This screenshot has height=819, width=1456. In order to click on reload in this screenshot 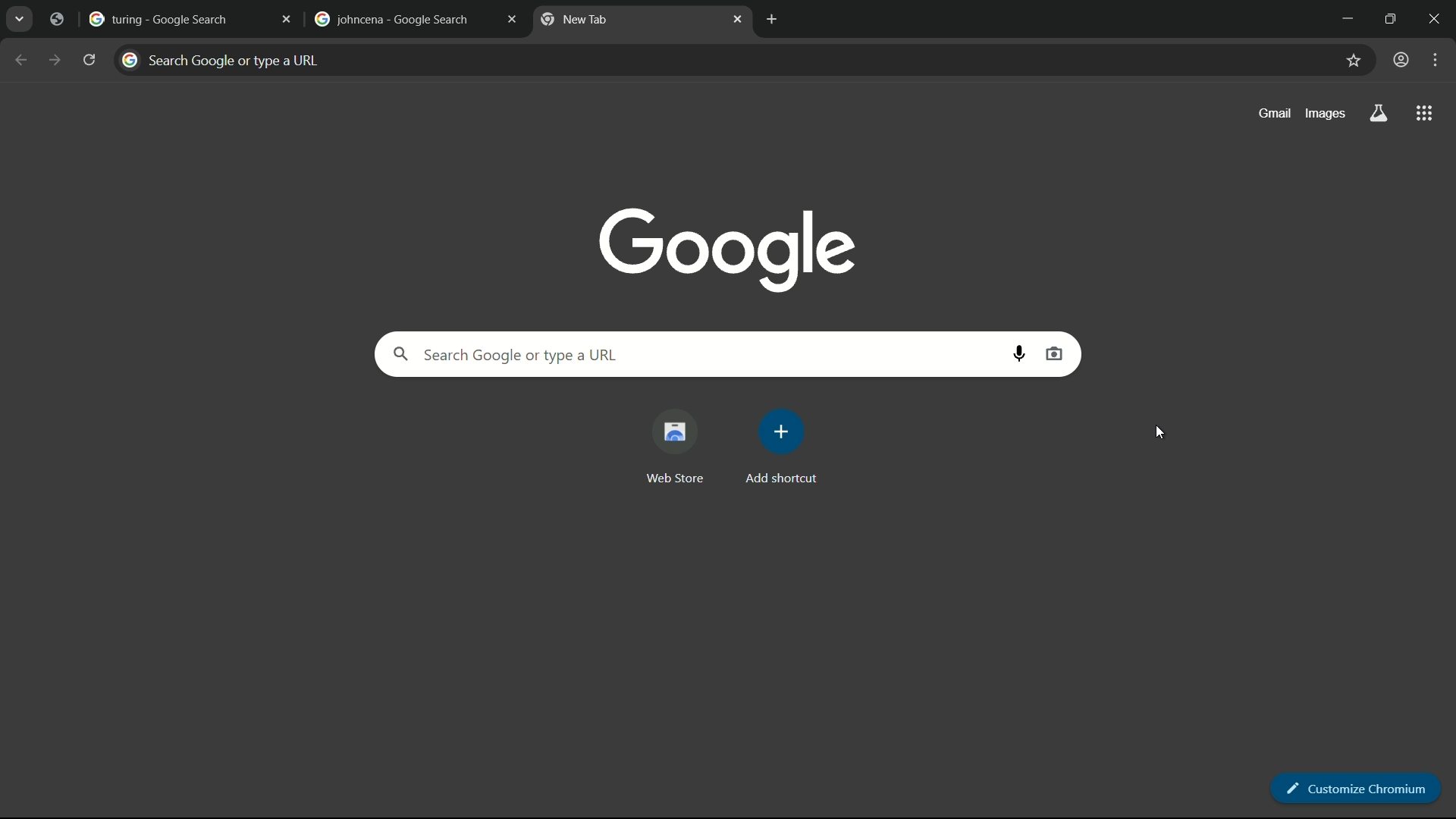, I will do `click(89, 59)`.